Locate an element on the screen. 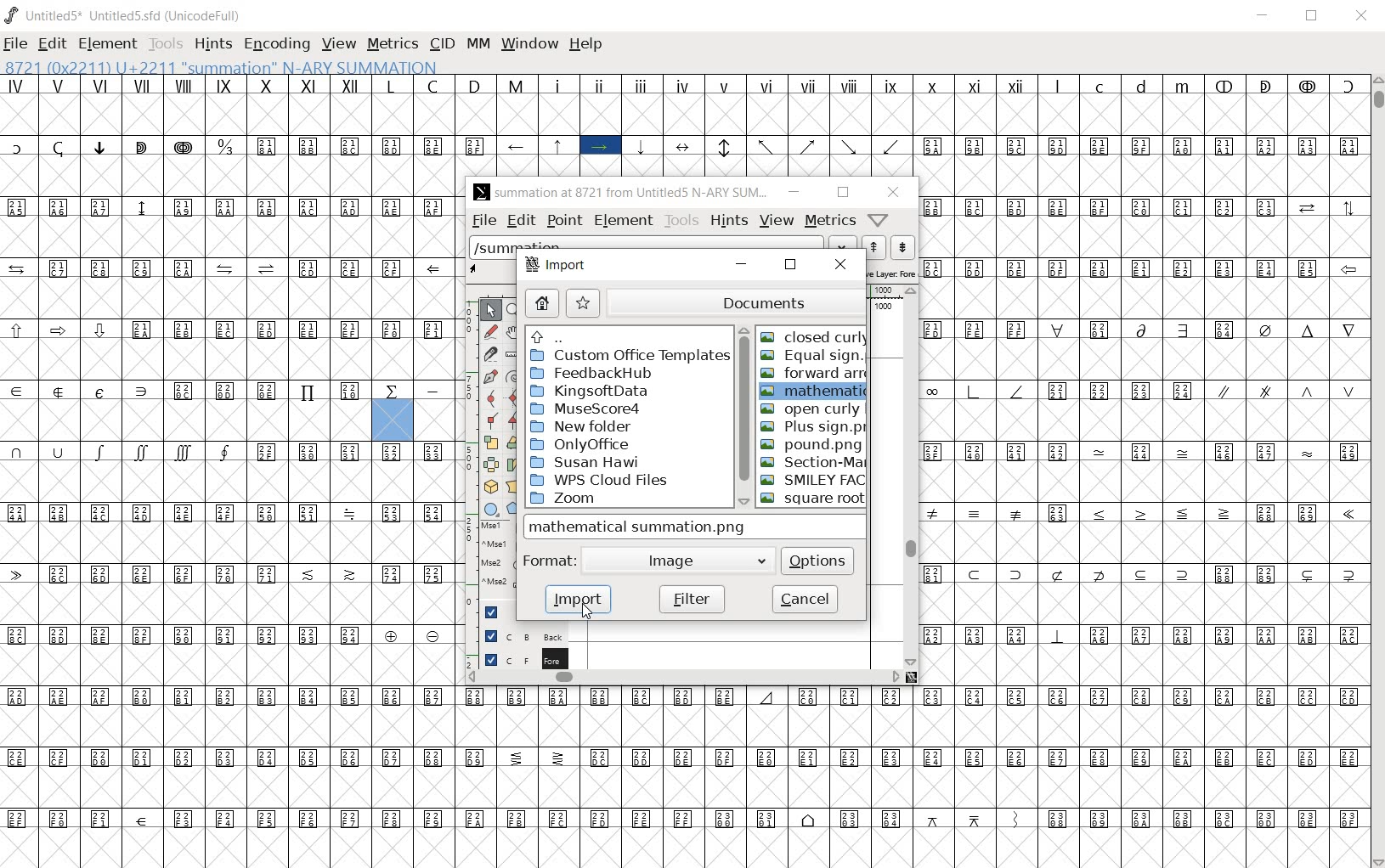  Square root is located at coordinates (817, 500).